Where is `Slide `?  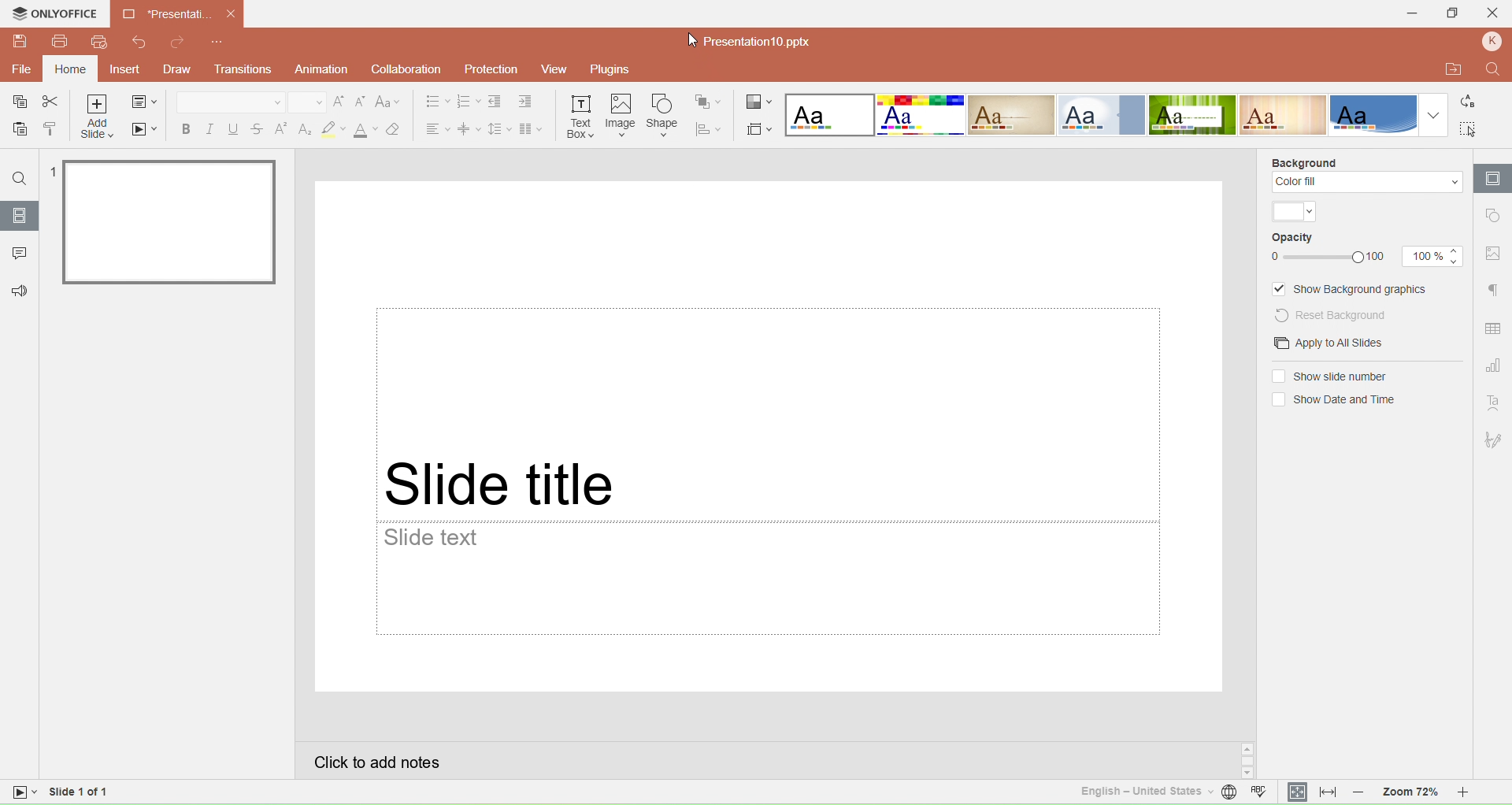 Slide  is located at coordinates (170, 221).